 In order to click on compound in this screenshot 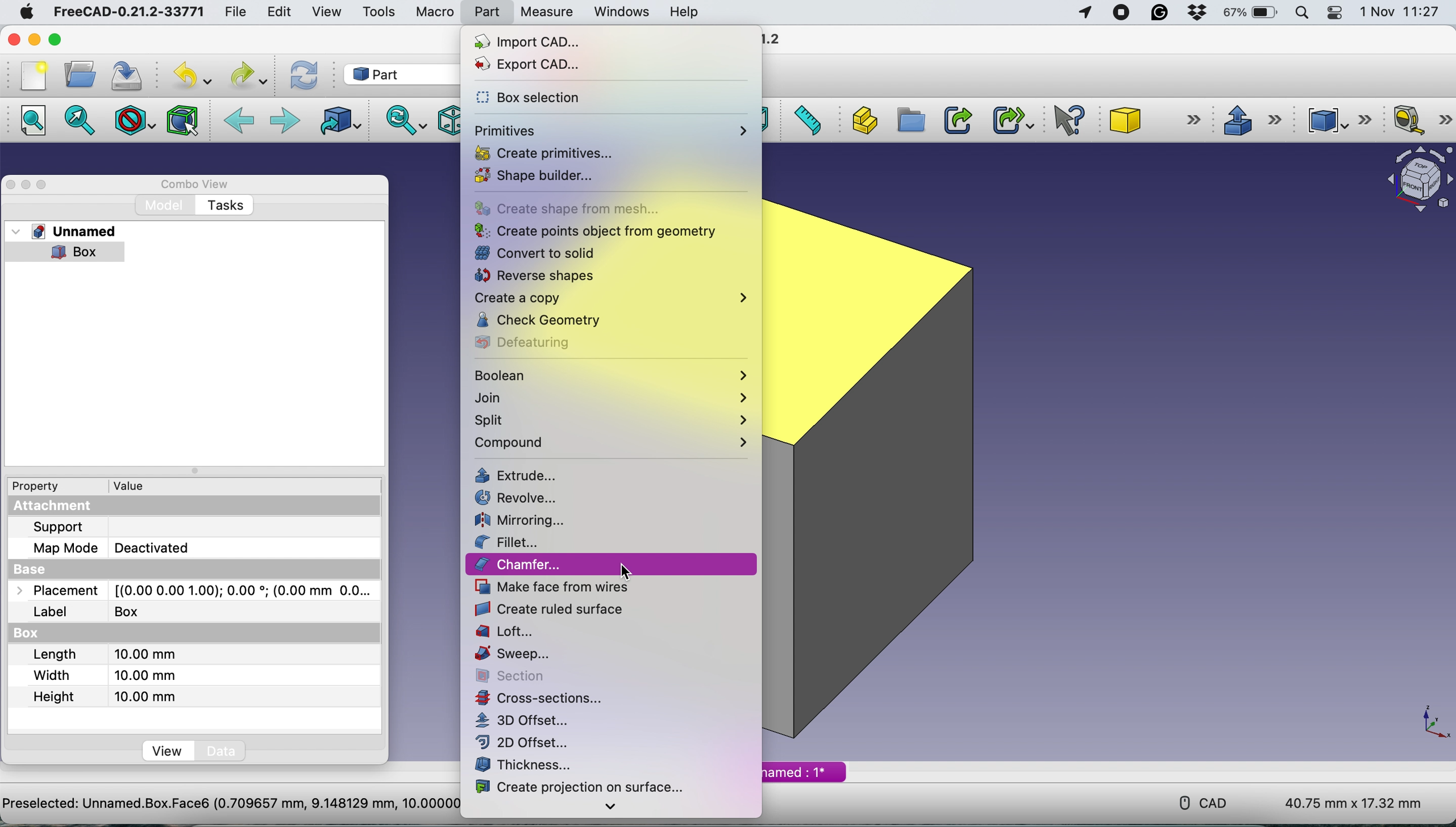, I will do `click(610, 443)`.